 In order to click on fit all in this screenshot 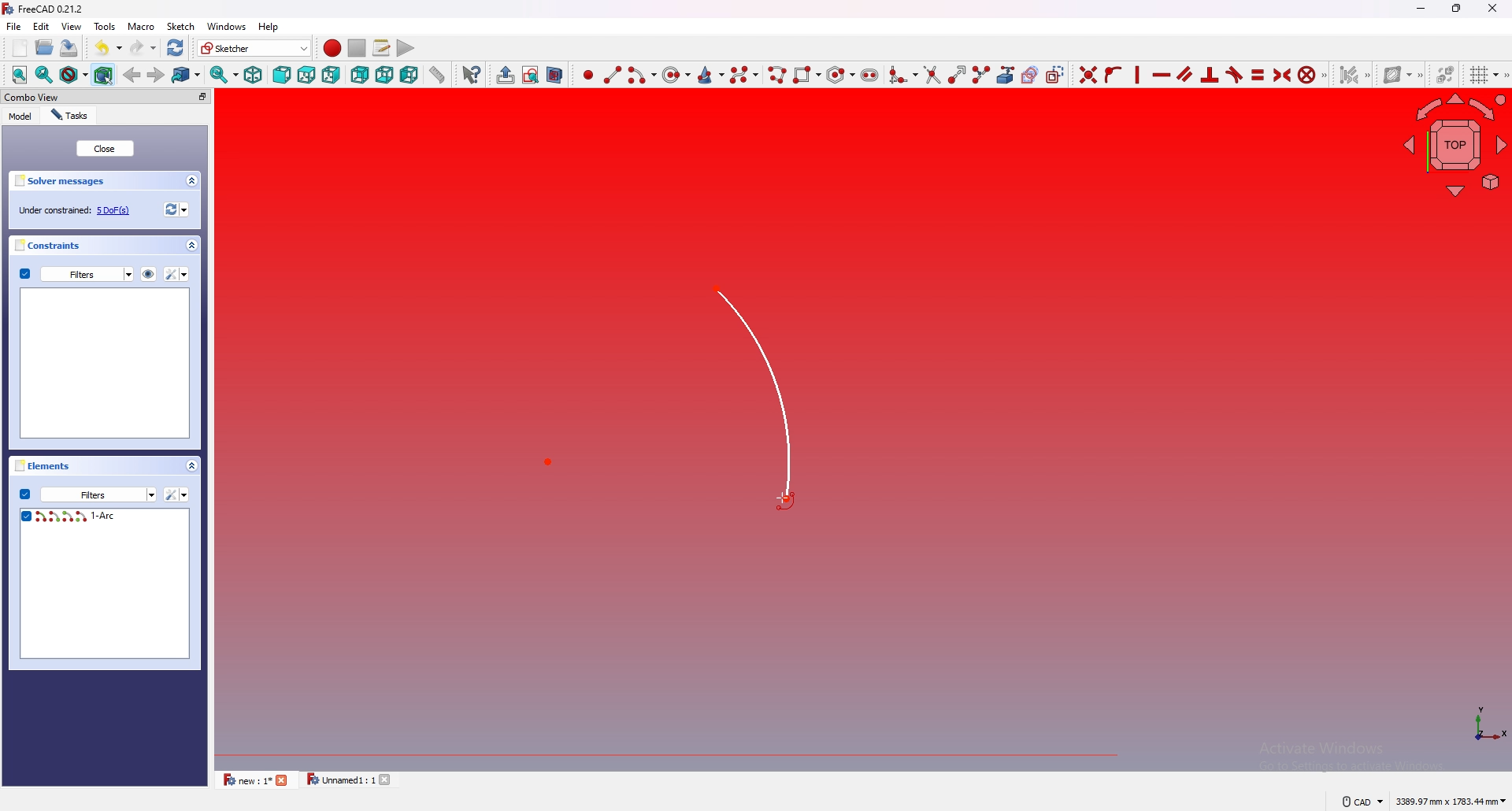, I will do `click(19, 75)`.